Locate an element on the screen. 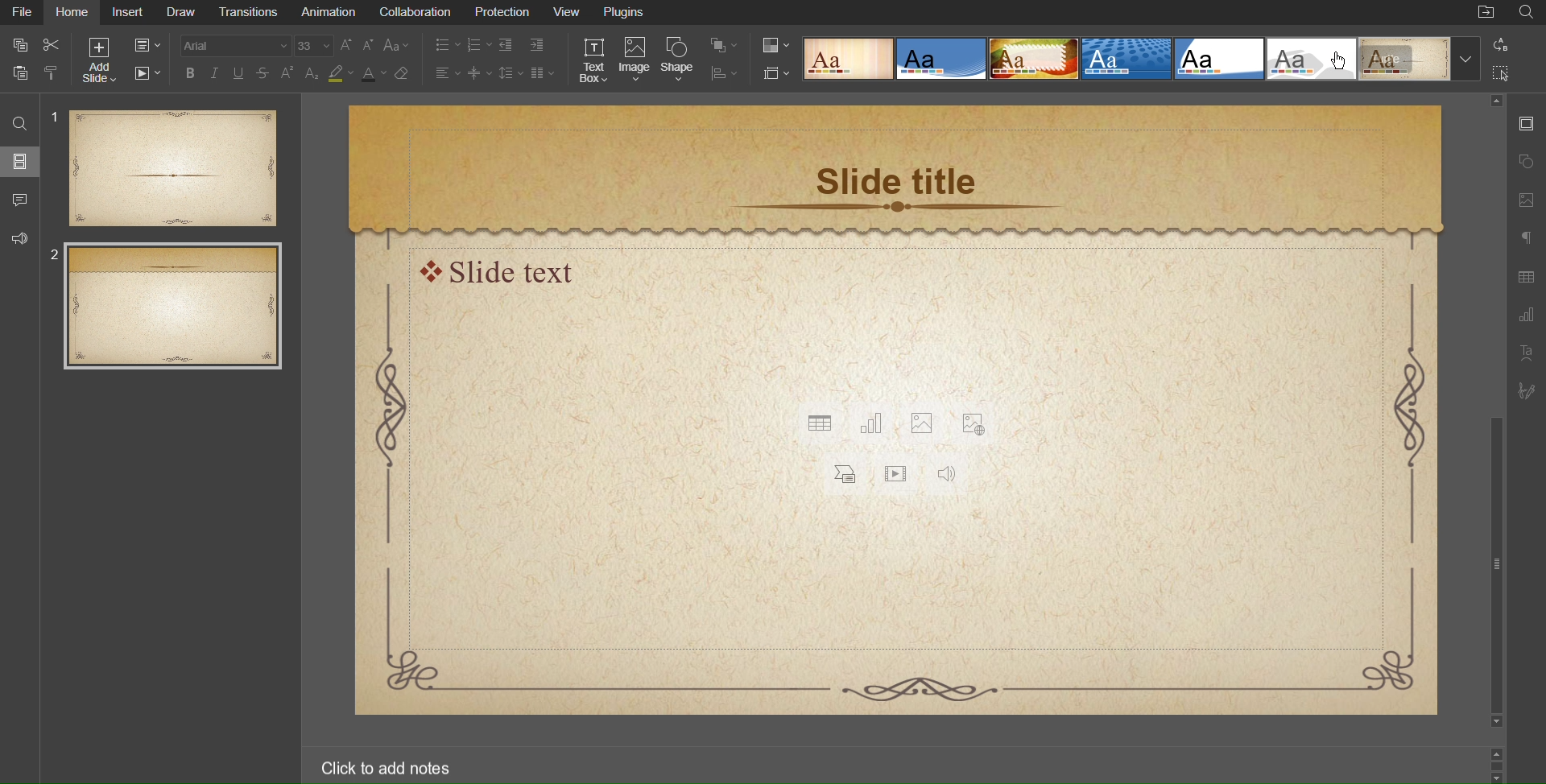 Image resolution: width=1546 pixels, height=784 pixels. Text Box is located at coordinates (596, 61).